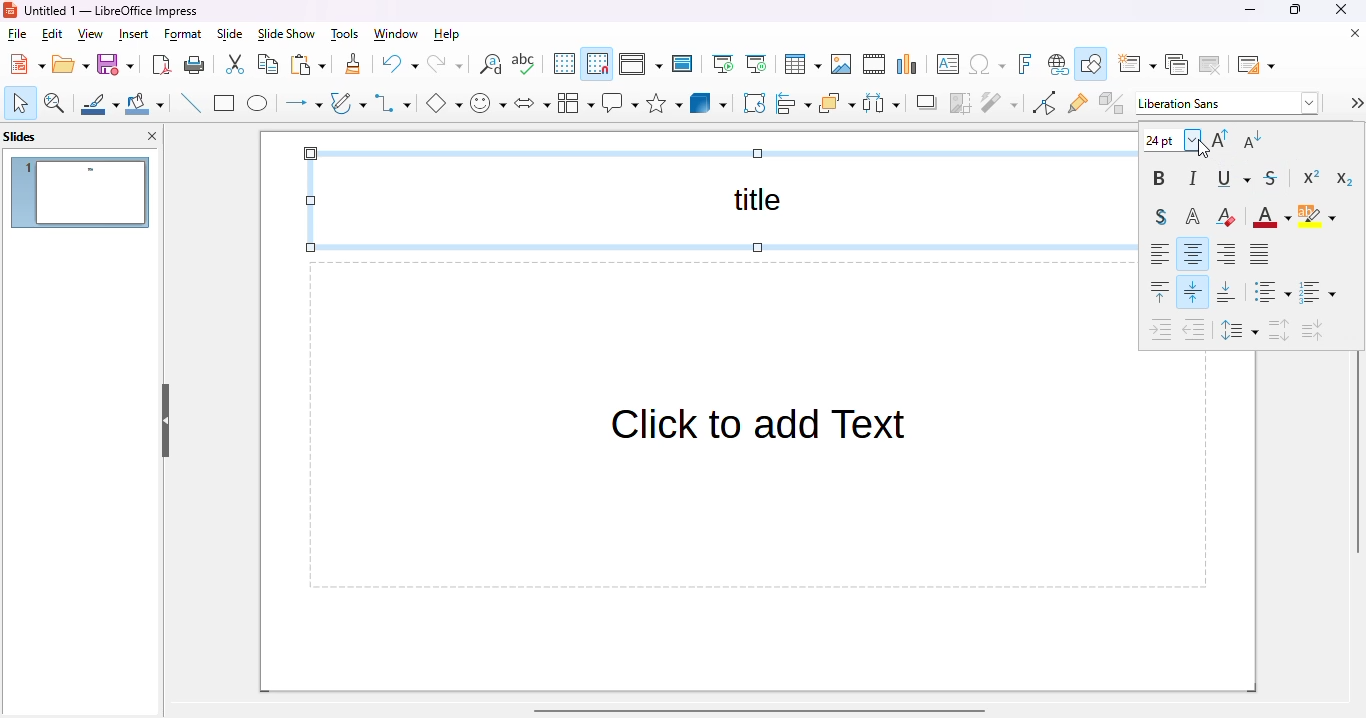 This screenshot has width=1366, height=718. Describe the element at coordinates (231, 35) in the screenshot. I see `slide` at that location.